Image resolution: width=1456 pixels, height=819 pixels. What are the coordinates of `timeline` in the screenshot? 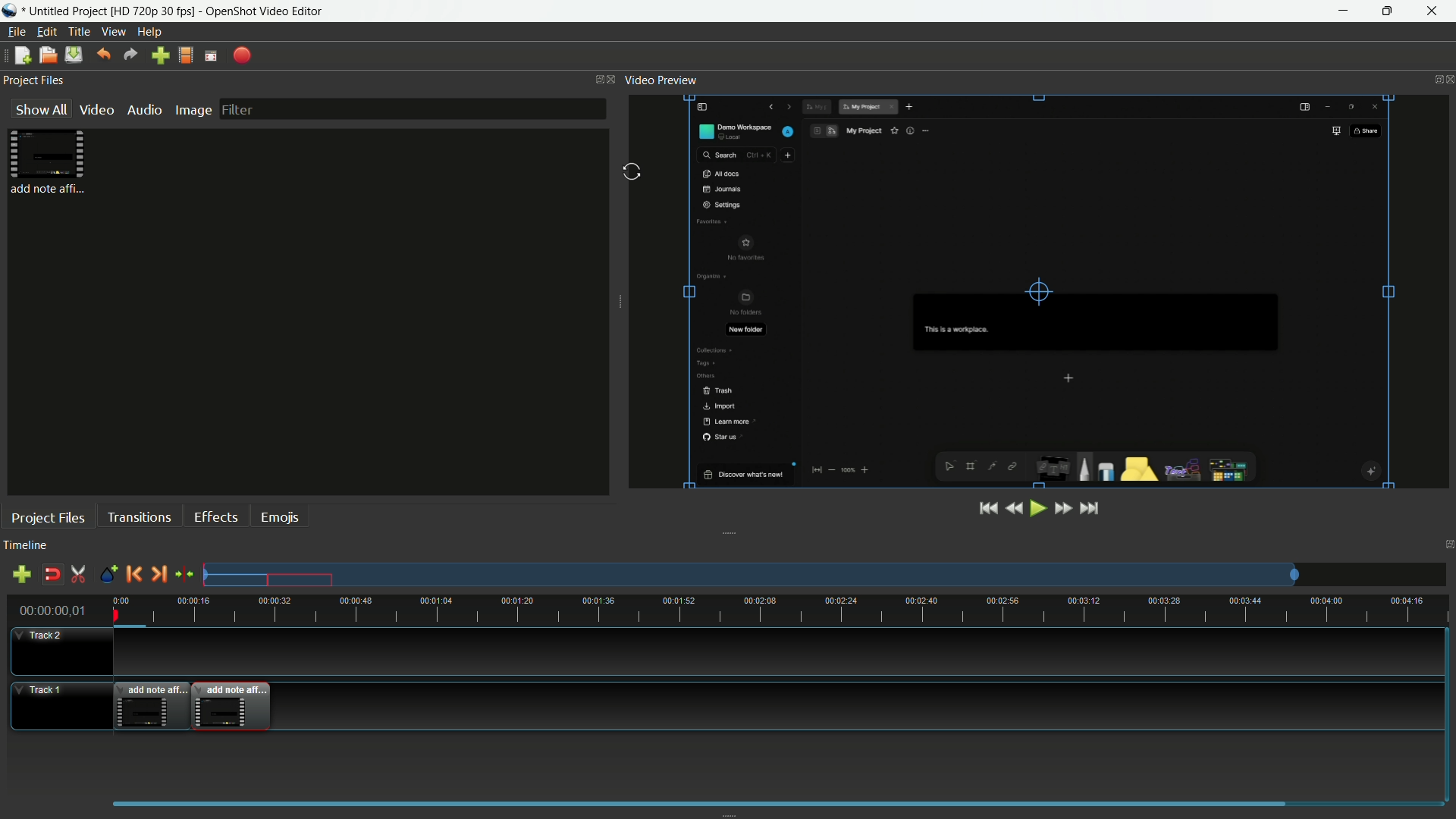 It's located at (26, 544).